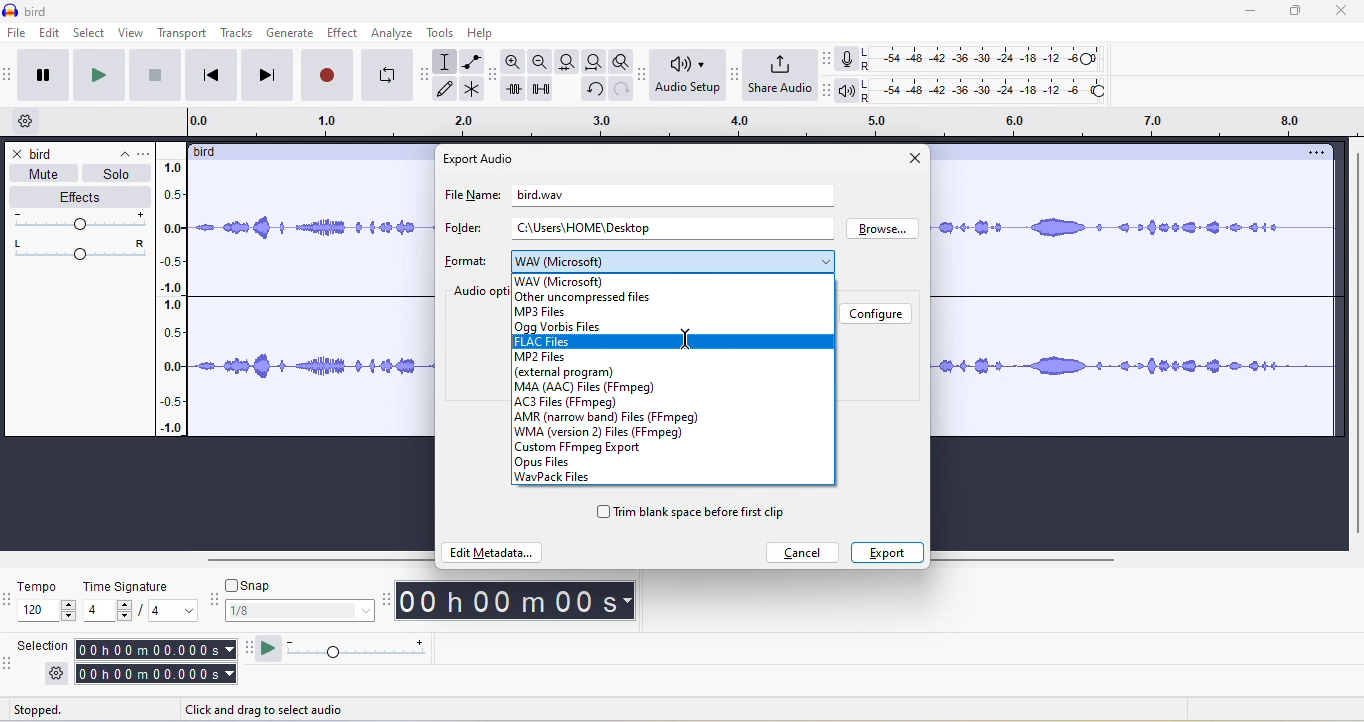  What do you see at coordinates (9, 662) in the screenshot?
I see `audacity selection toolbar` at bounding box center [9, 662].